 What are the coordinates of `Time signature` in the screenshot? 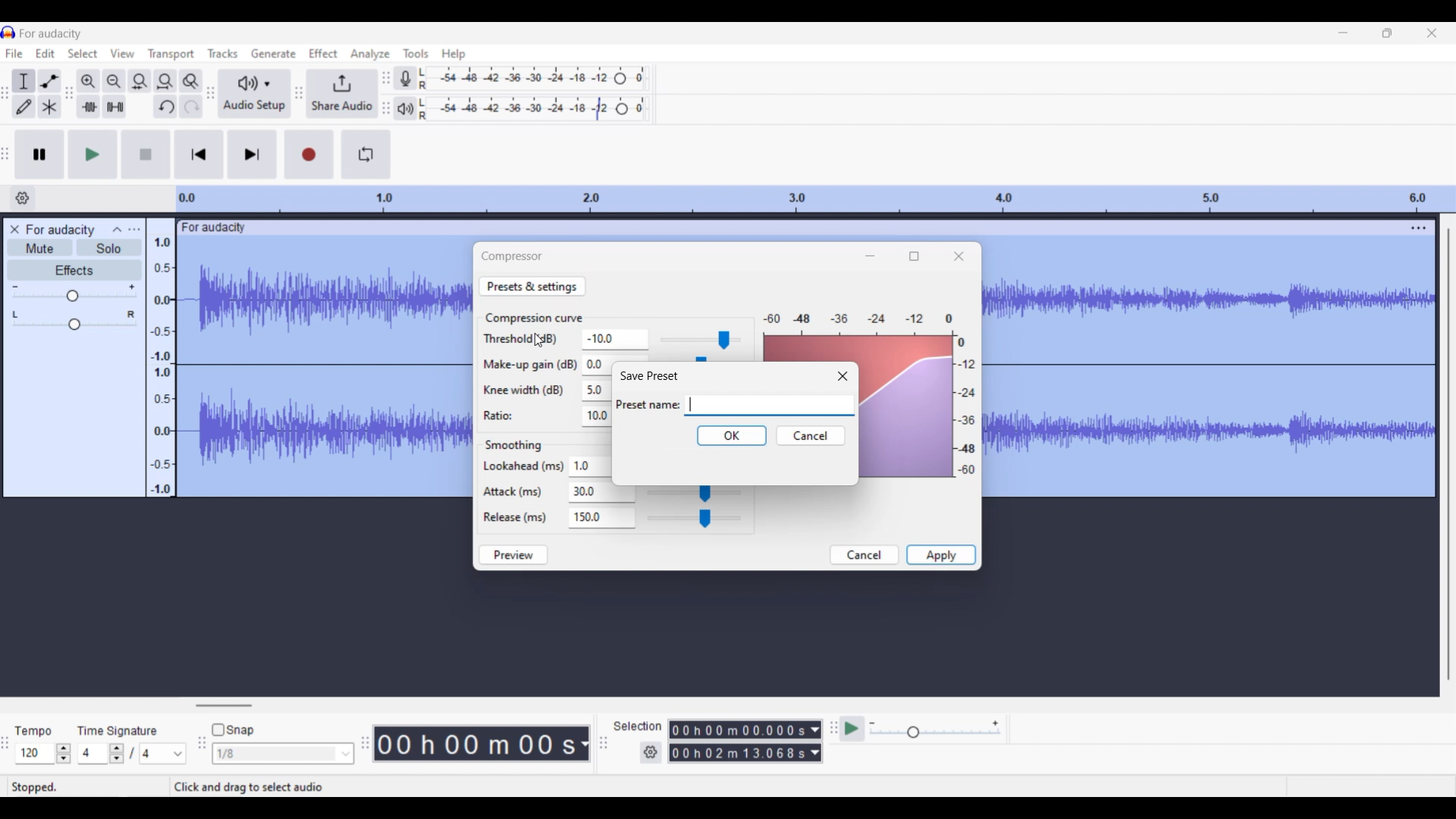 It's located at (118, 730).